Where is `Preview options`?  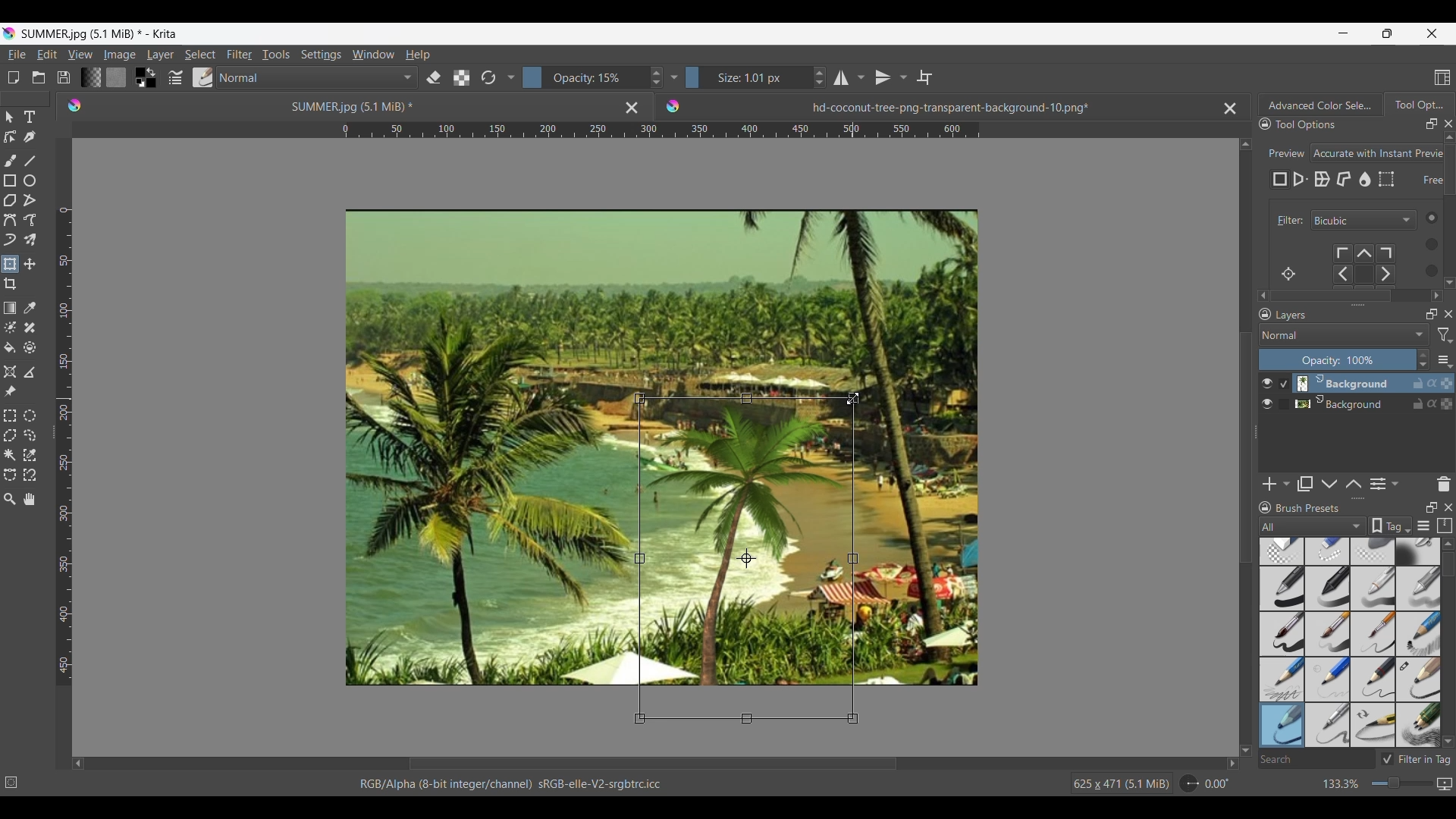
Preview options is located at coordinates (1378, 153).